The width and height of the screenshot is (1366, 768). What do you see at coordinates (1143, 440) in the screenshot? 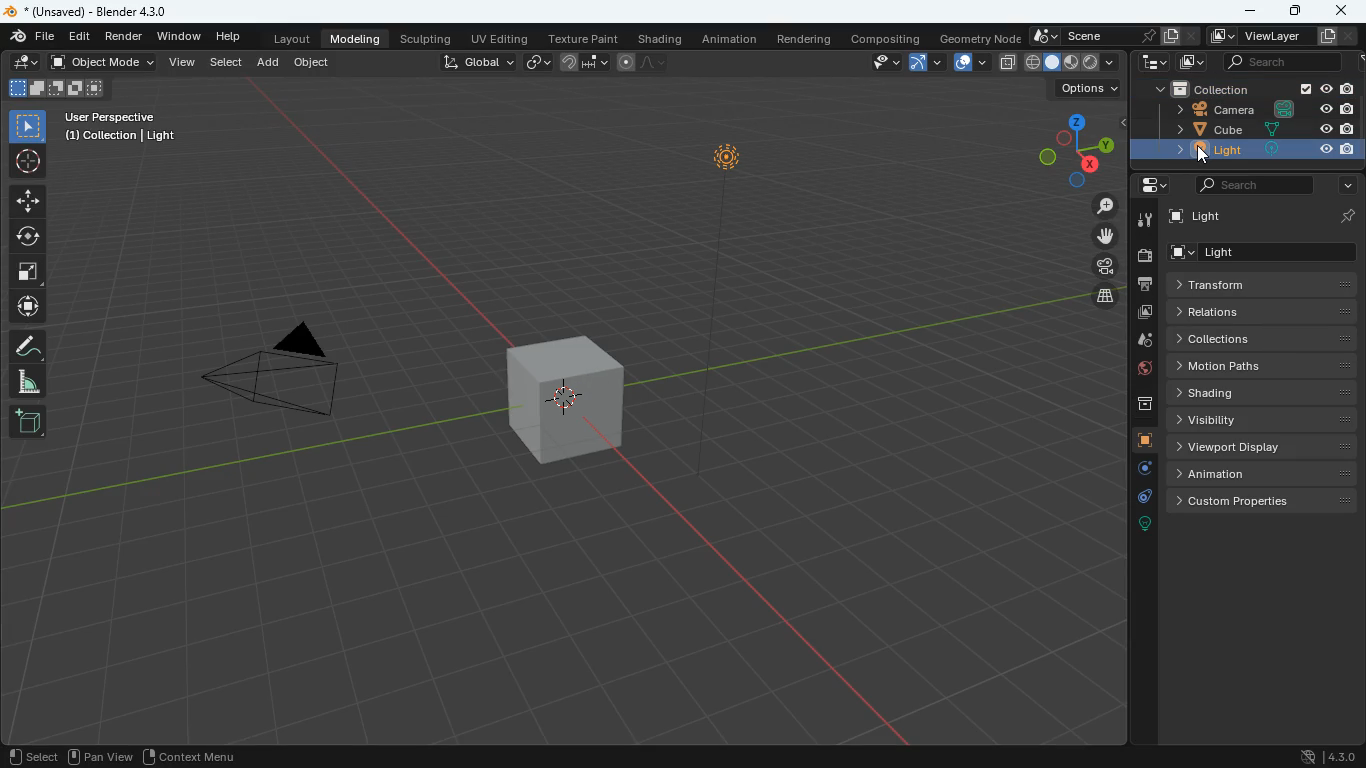
I see `` at bounding box center [1143, 440].